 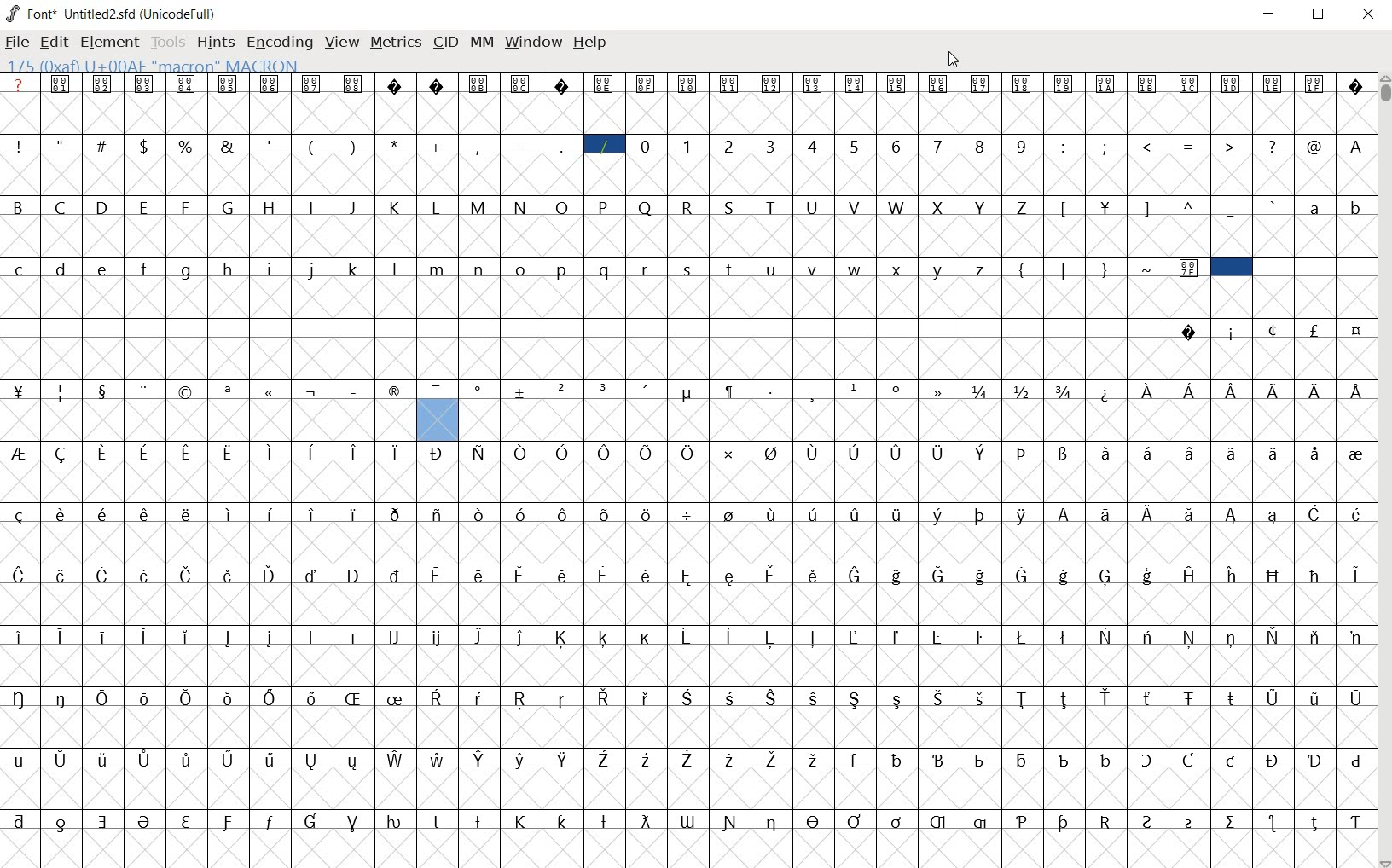 I want to click on Symbol, so click(x=979, y=823).